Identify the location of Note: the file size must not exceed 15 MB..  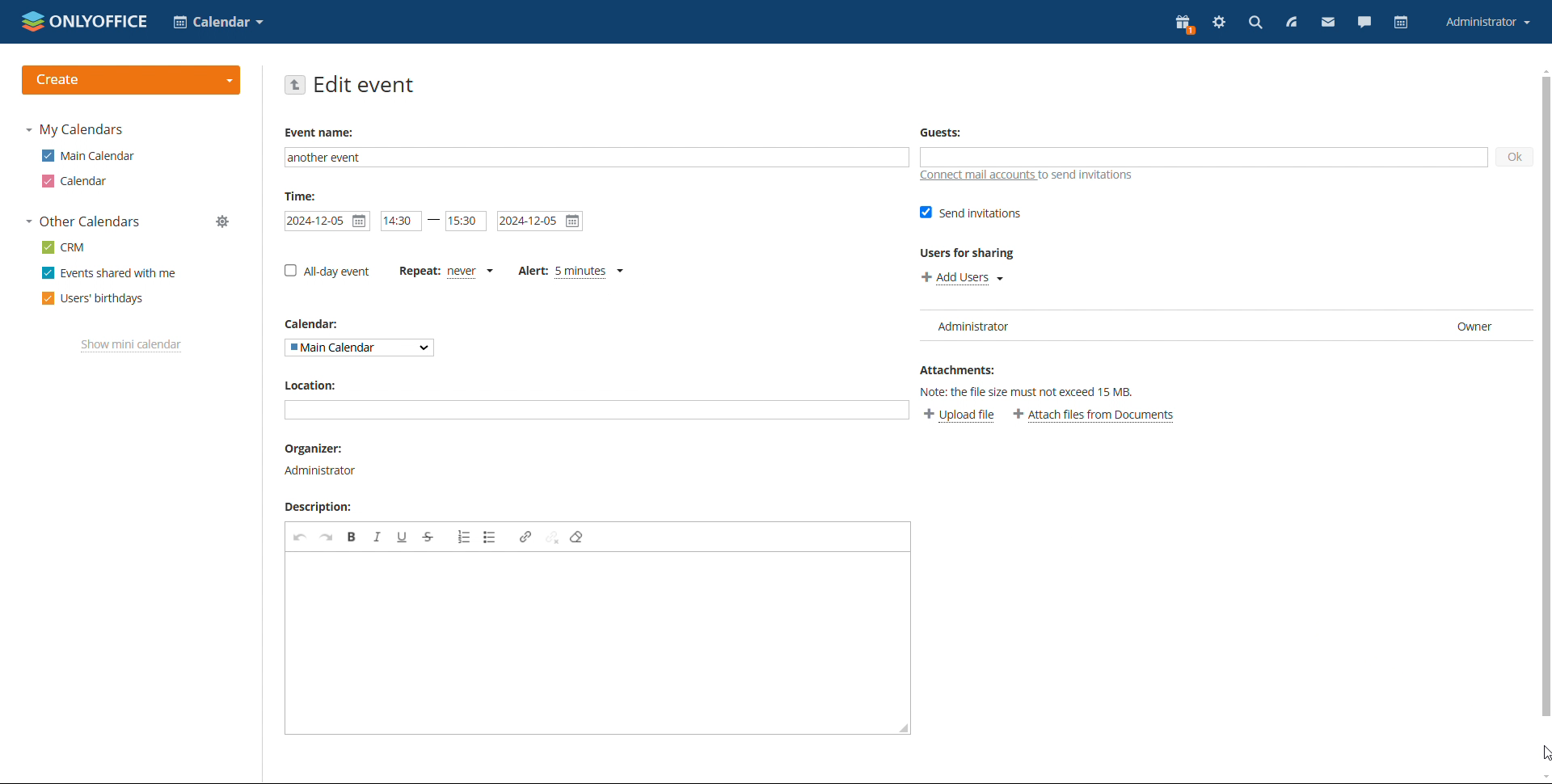
(1037, 390).